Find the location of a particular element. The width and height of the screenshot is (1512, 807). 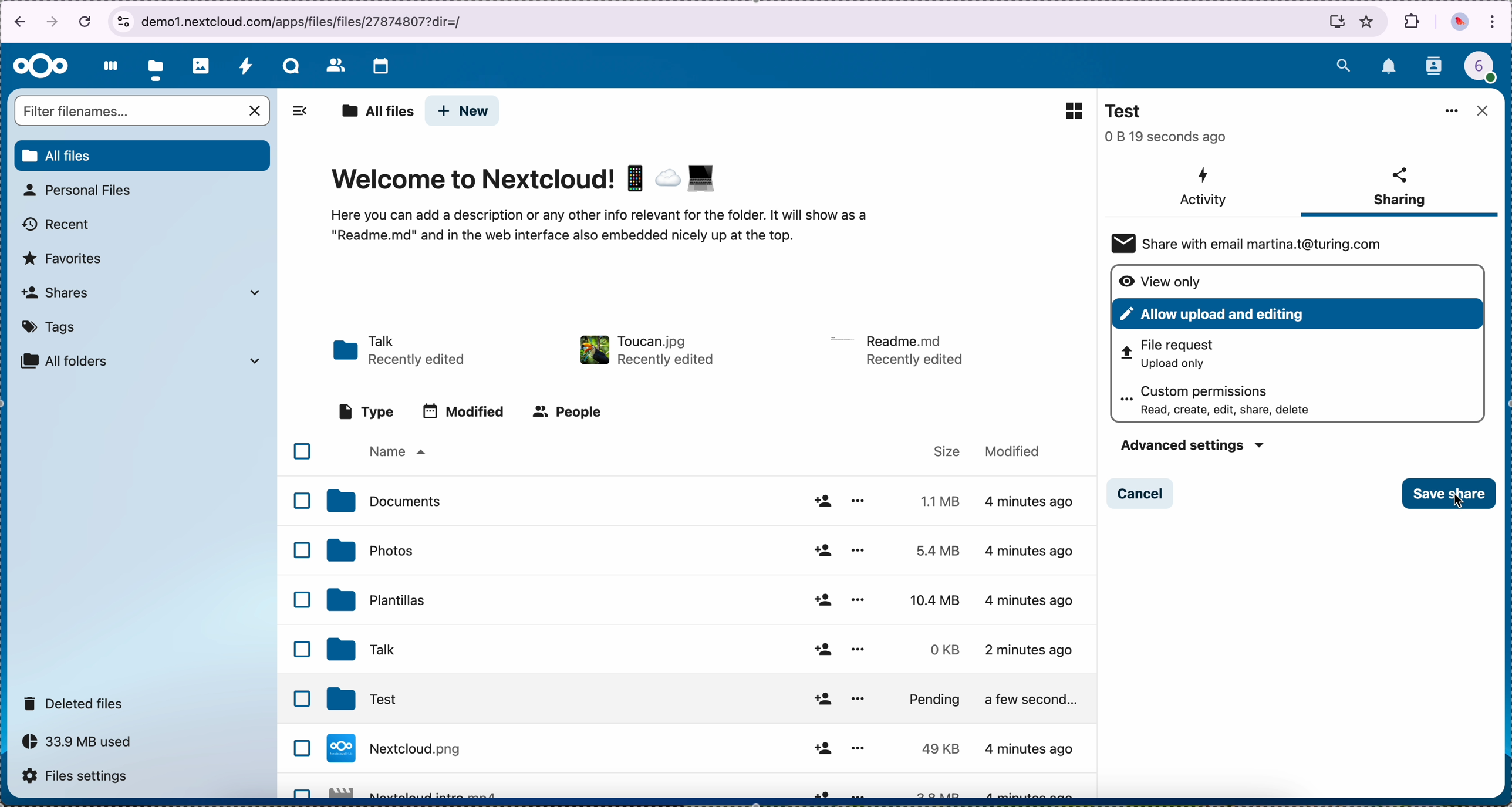

recent is located at coordinates (58, 225).